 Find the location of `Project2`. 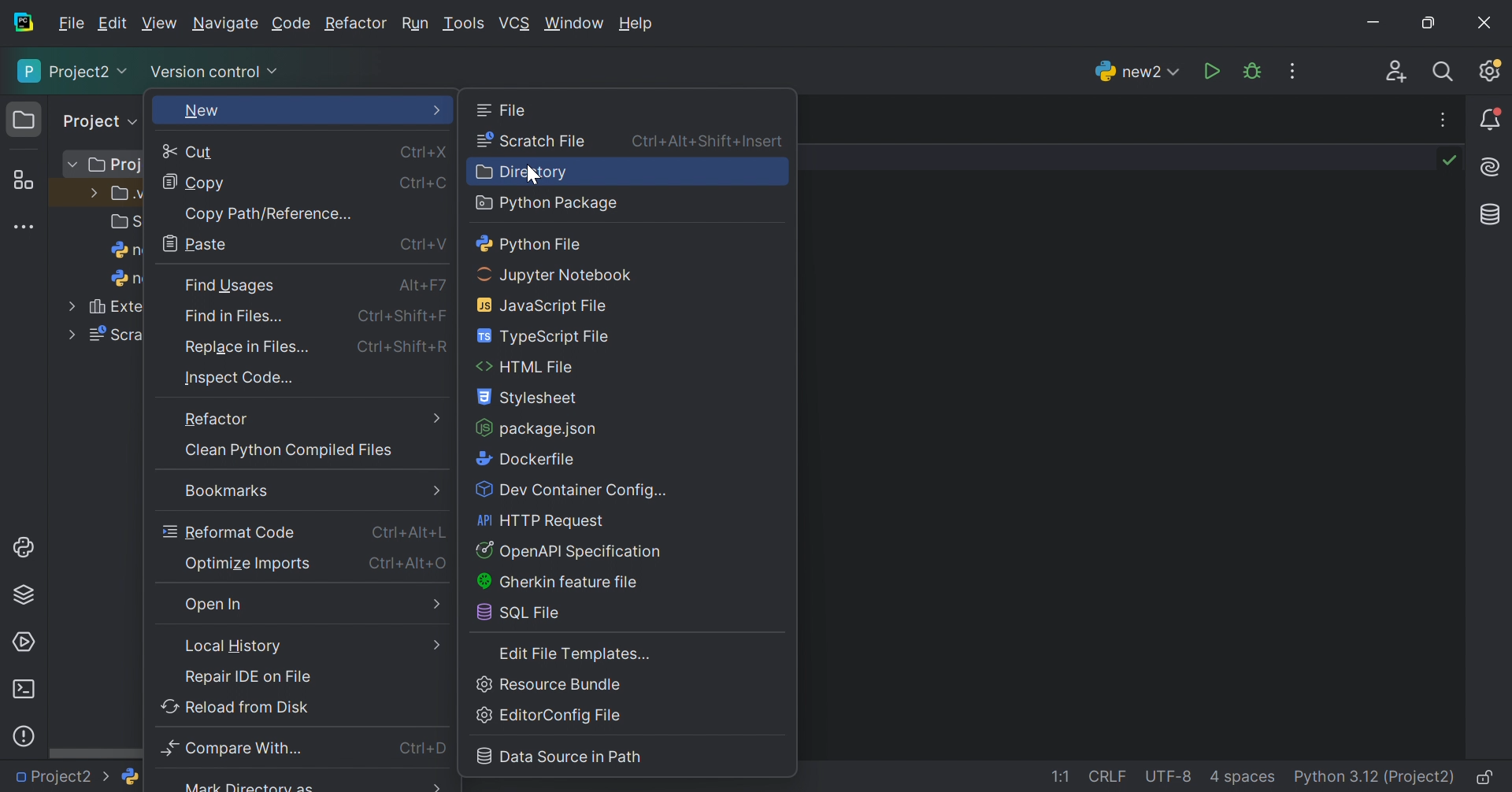

Project2 is located at coordinates (56, 777).